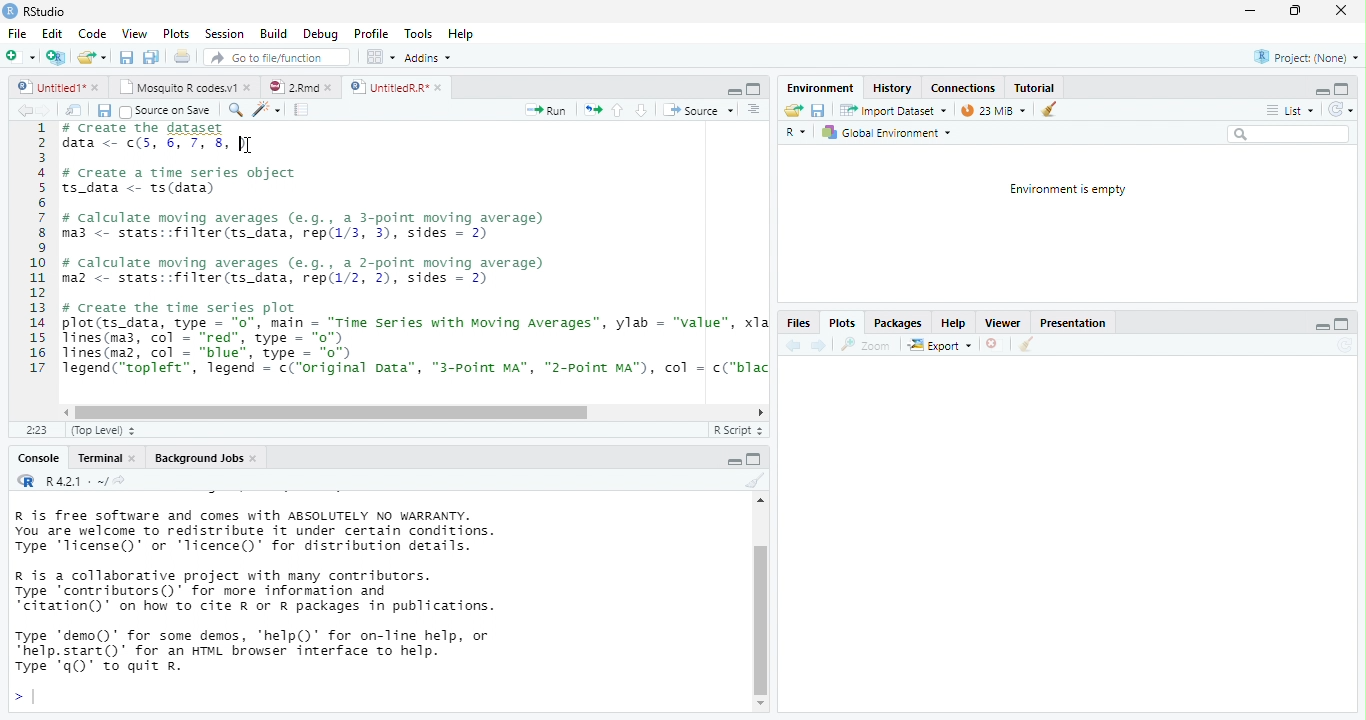  What do you see at coordinates (151, 57) in the screenshot?
I see `print current file` at bounding box center [151, 57].